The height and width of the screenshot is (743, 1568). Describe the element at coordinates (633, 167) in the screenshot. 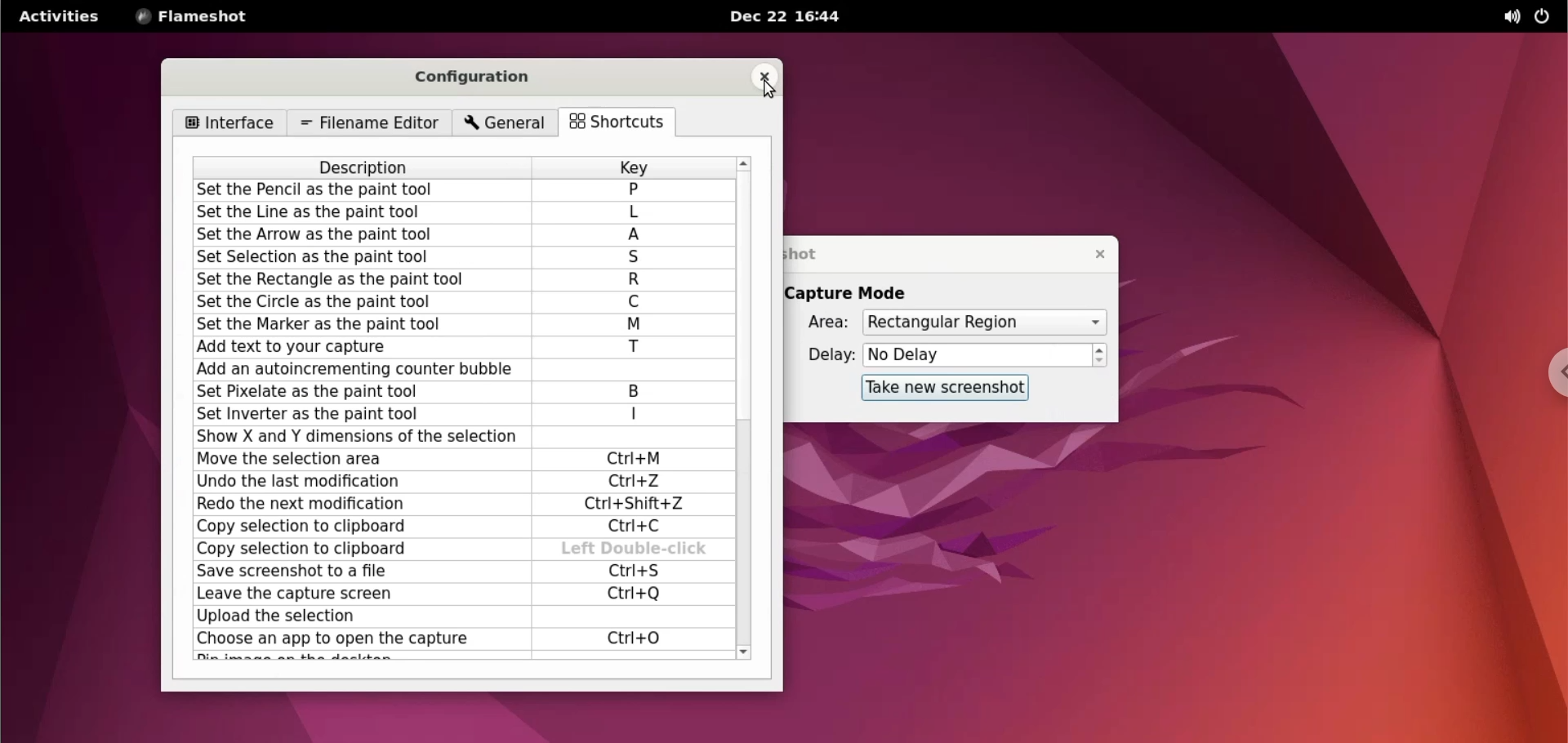

I see `key ` at that location.